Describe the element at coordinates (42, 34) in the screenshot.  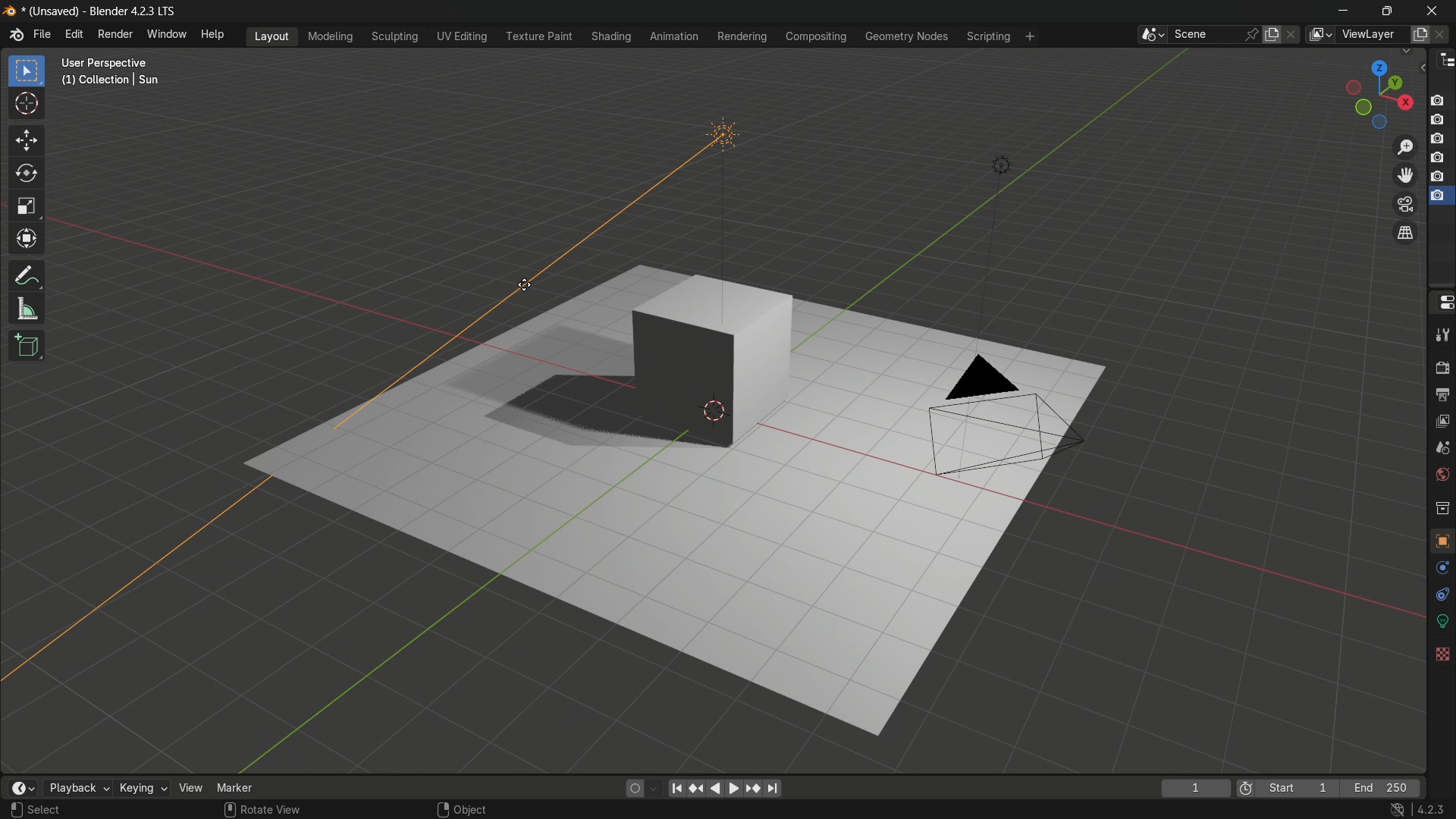
I see `file menu` at that location.